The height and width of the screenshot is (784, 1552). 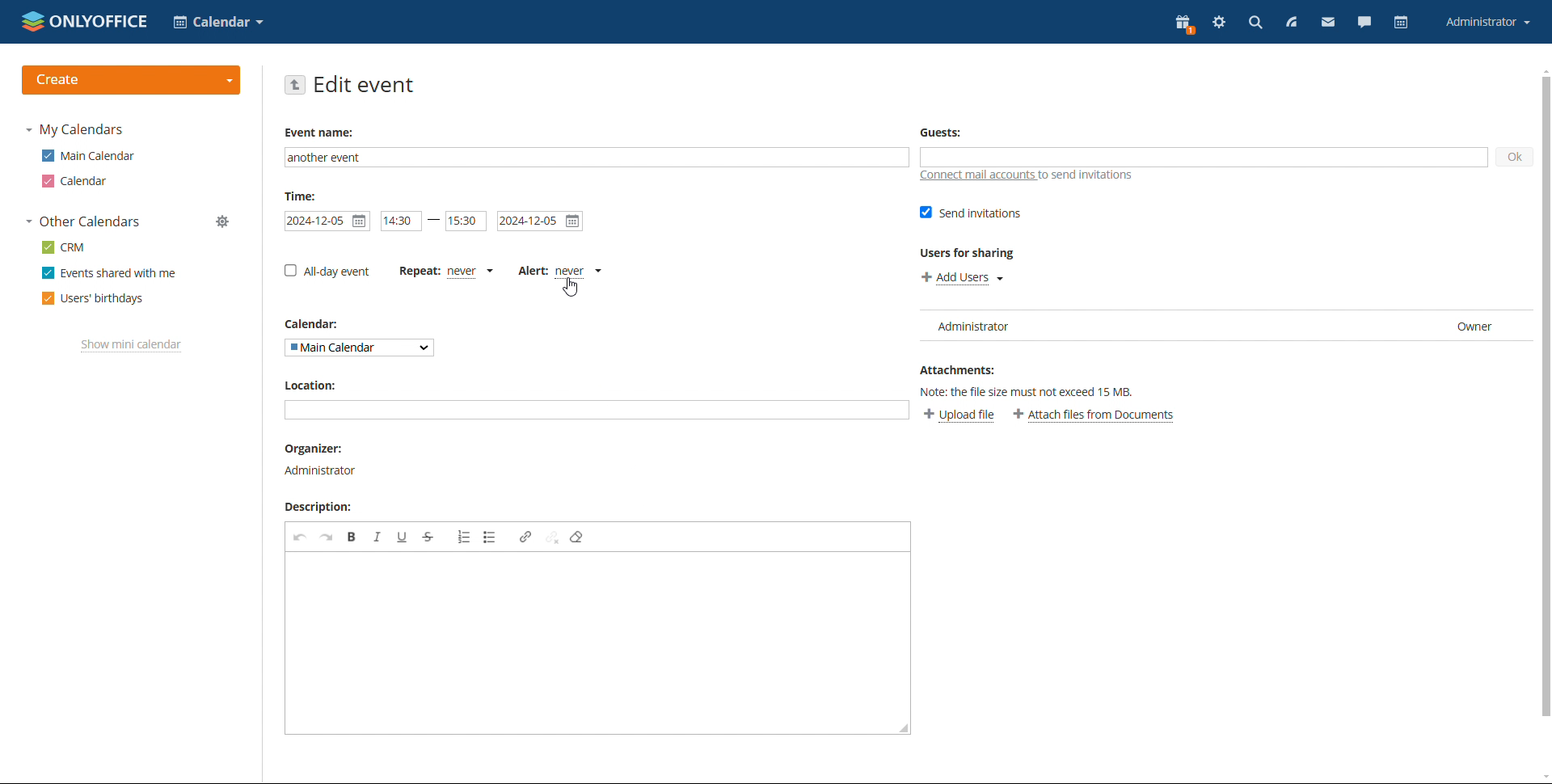 I want to click on all-day event checkbox, so click(x=327, y=271).